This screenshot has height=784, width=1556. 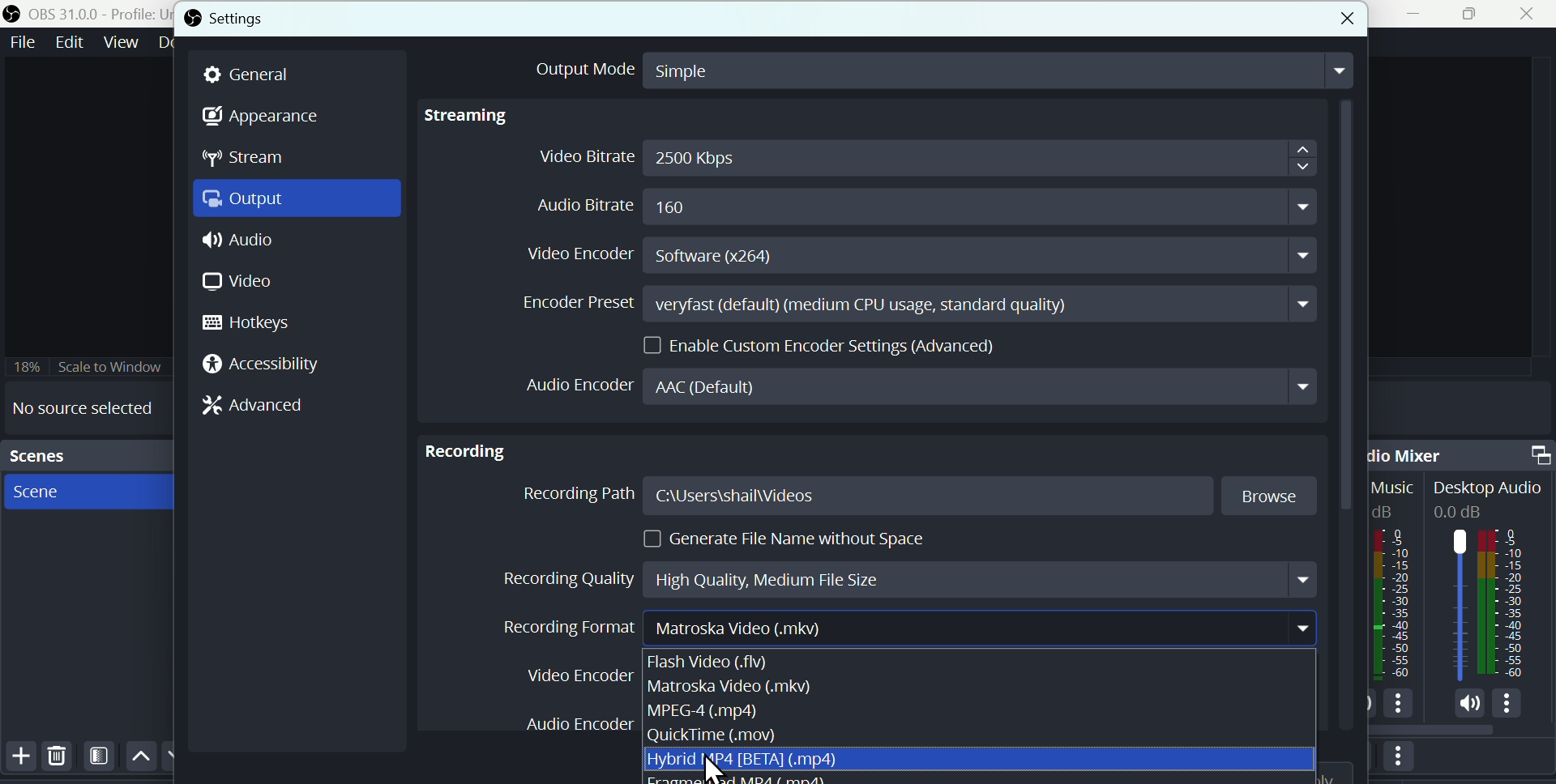 I want to click on Browse, so click(x=1270, y=494).